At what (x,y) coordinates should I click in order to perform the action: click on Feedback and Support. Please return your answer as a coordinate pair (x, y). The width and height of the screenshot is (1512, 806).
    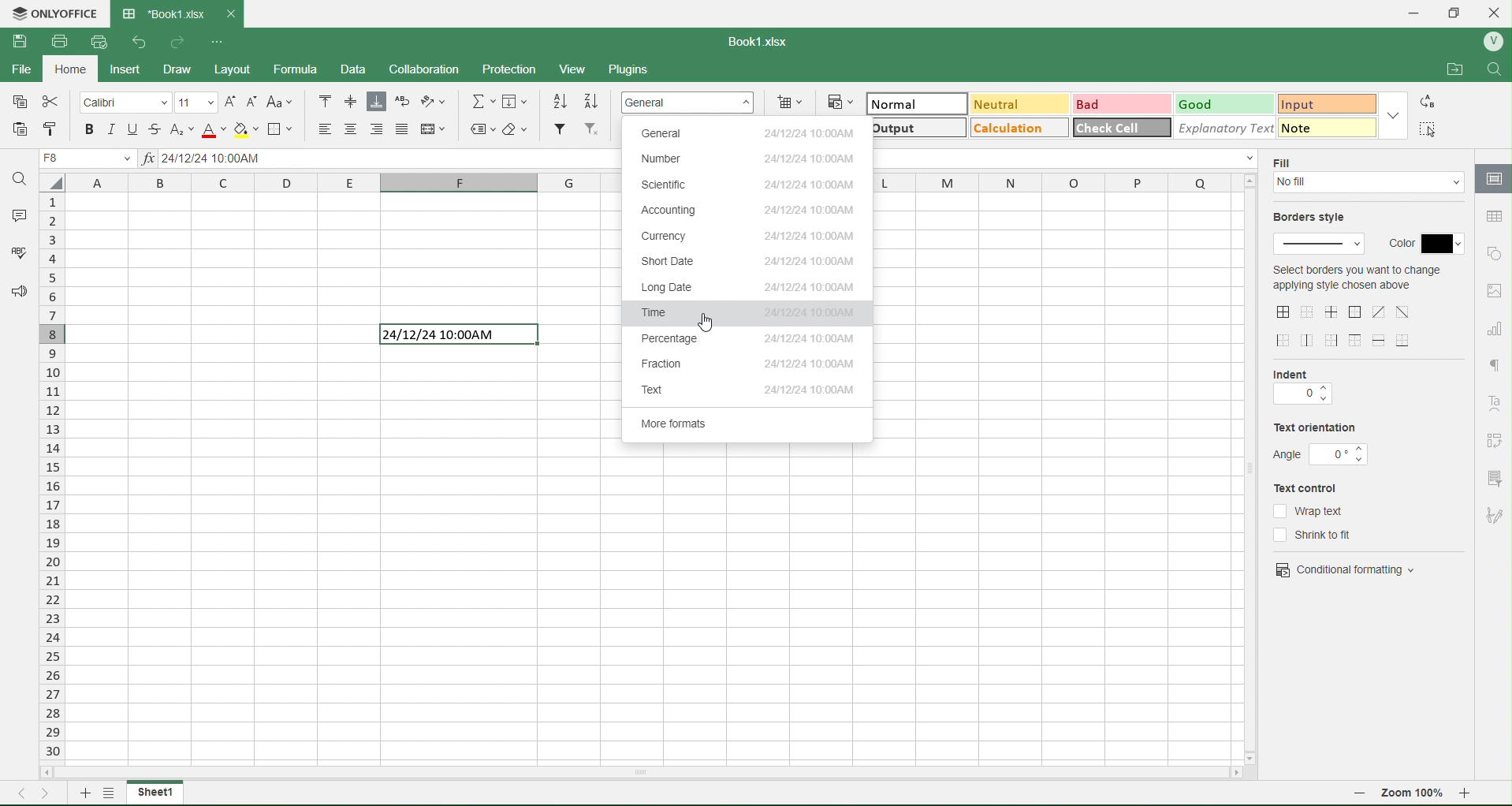
    Looking at the image, I should click on (15, 293).